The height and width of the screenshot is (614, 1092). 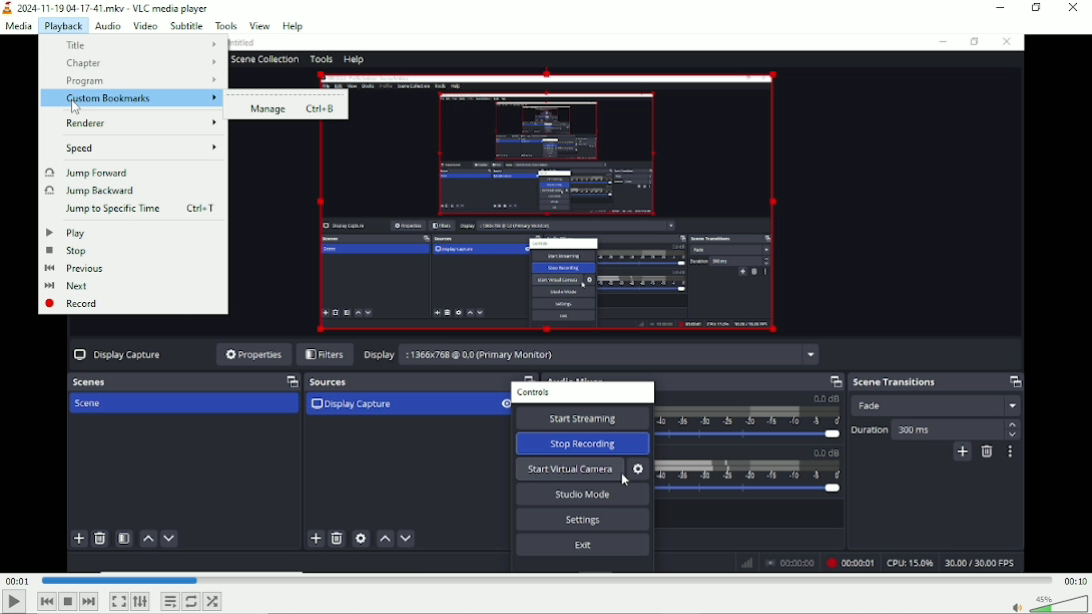 I want to click on Program, so click(x=140, y=82).